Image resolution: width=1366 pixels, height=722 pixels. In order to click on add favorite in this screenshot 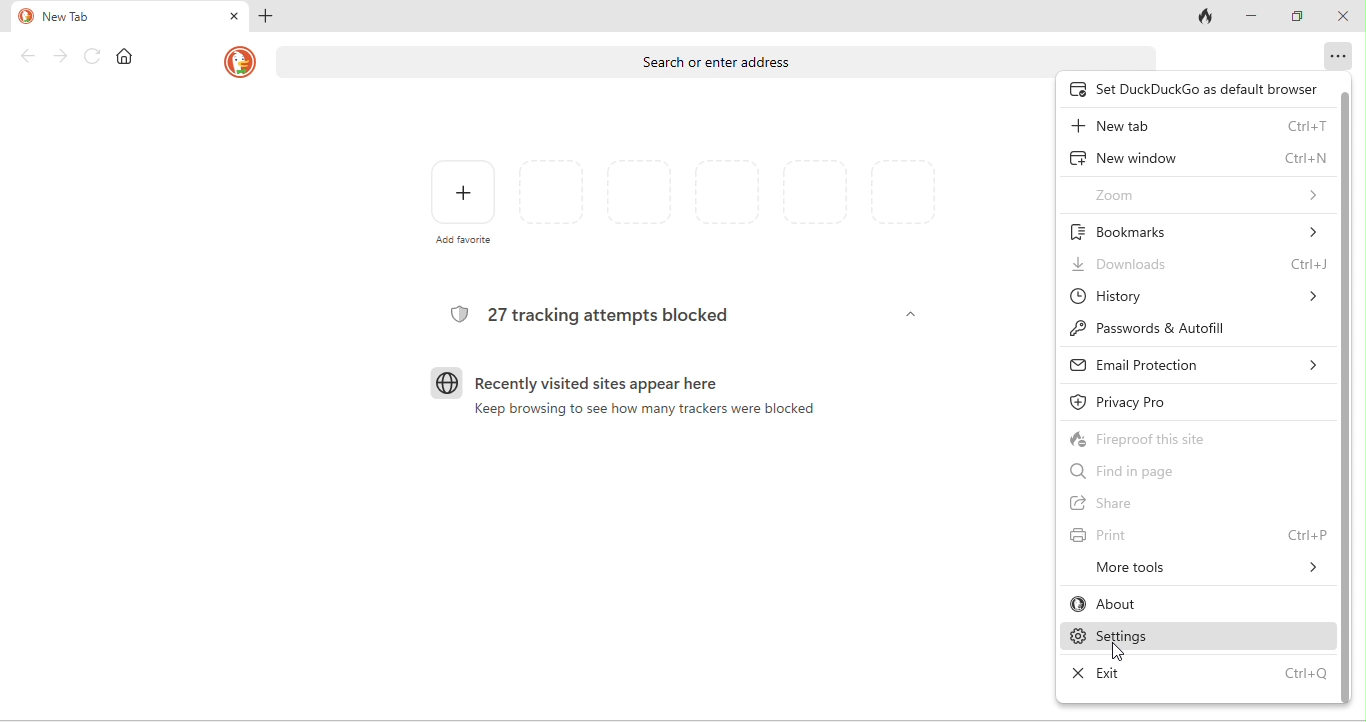, I will do `click(464, 202)`.